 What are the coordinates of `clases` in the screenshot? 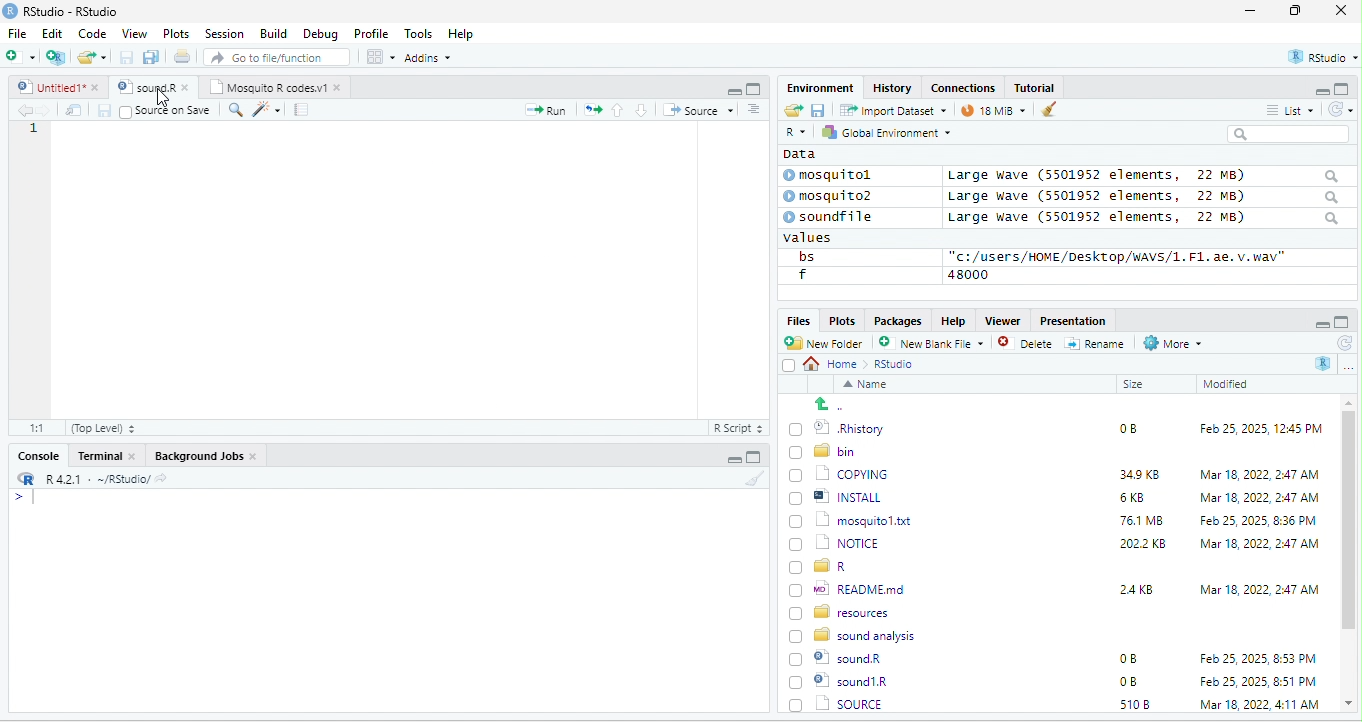 It's located at (965, 86).